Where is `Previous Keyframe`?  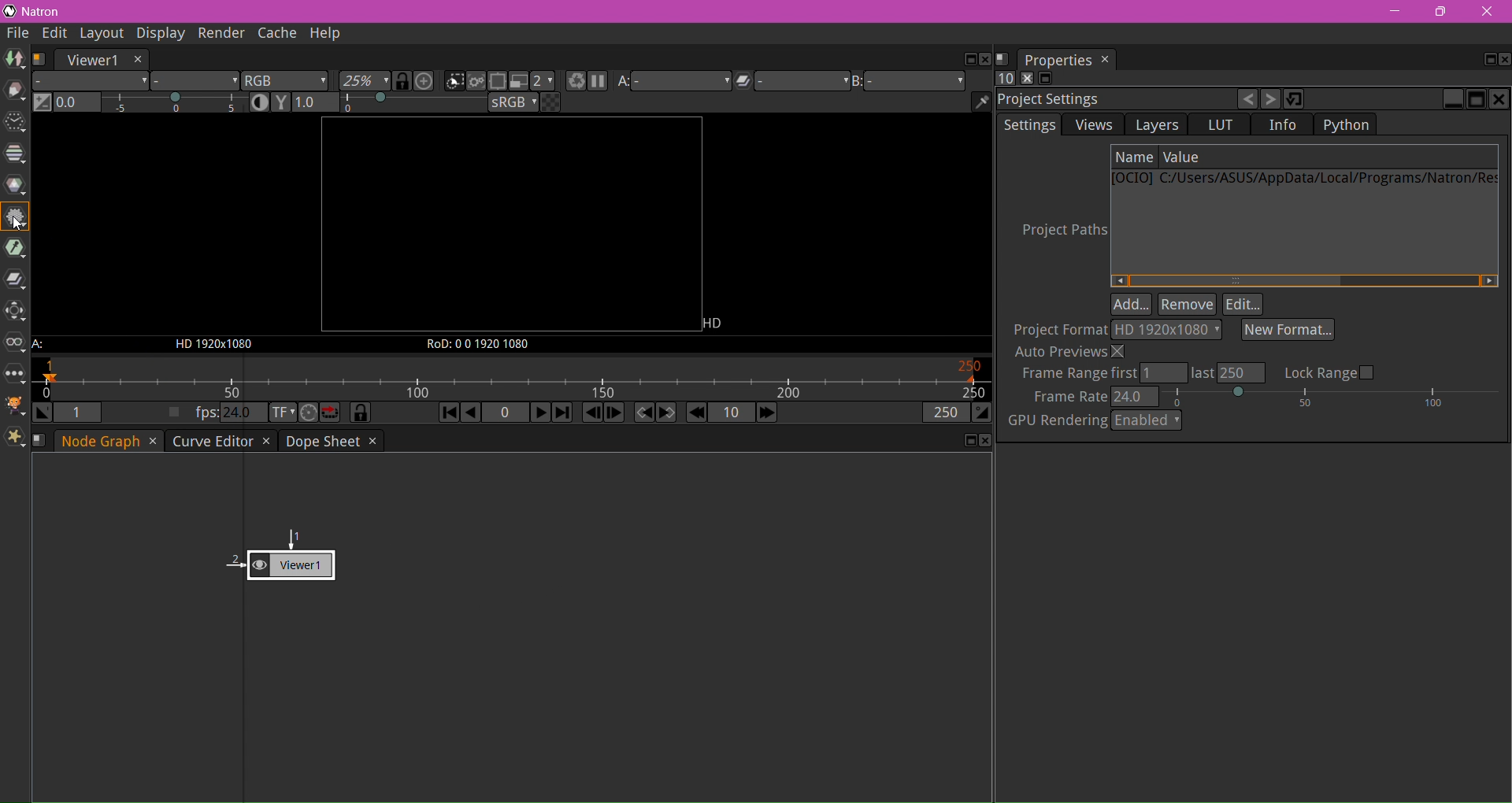
Previous Keyframe is located at coordinates (643, 413).